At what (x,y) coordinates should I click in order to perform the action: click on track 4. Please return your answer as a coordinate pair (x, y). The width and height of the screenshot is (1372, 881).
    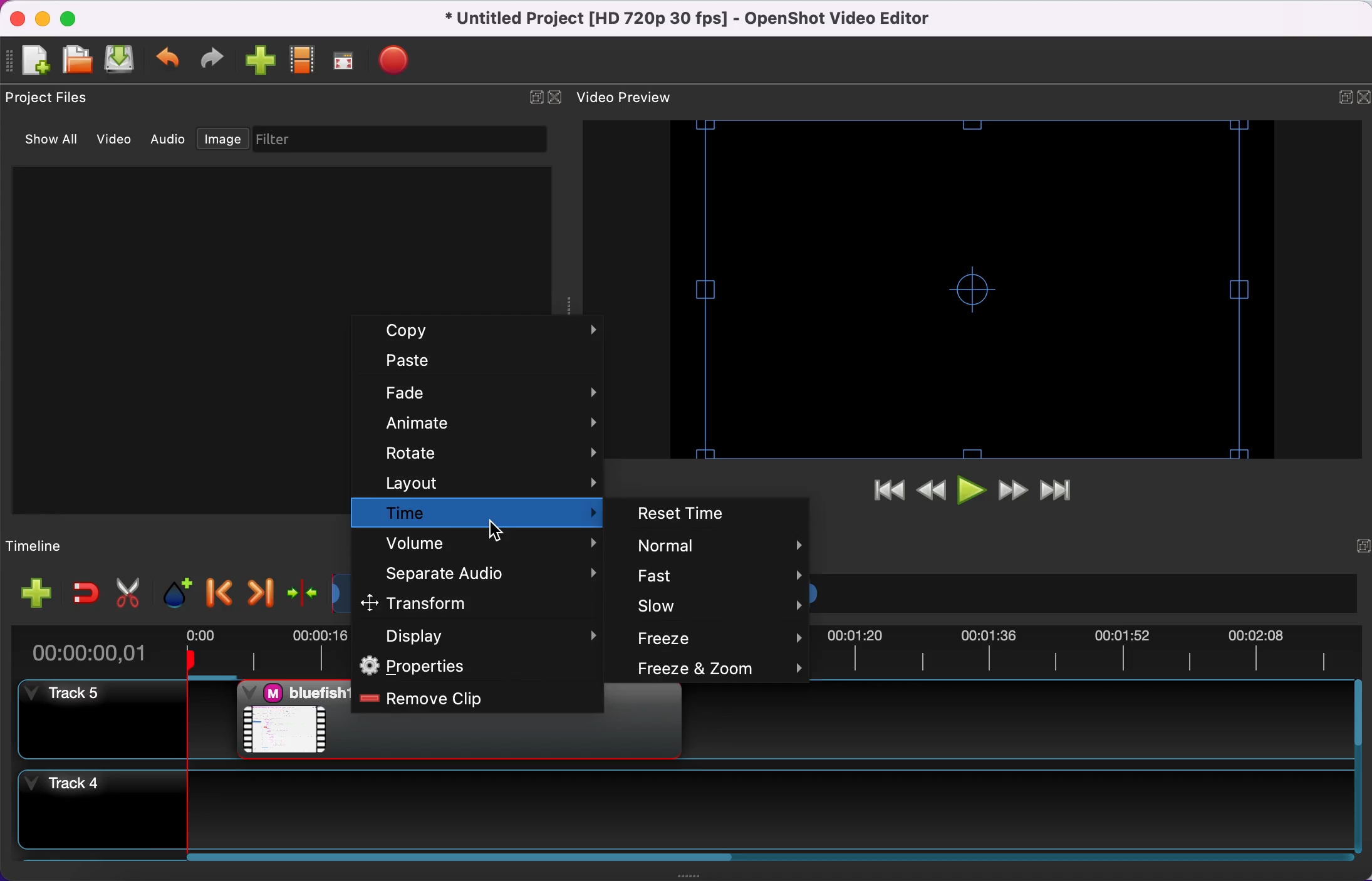
    Looking at the image, I should click on (689, 813).